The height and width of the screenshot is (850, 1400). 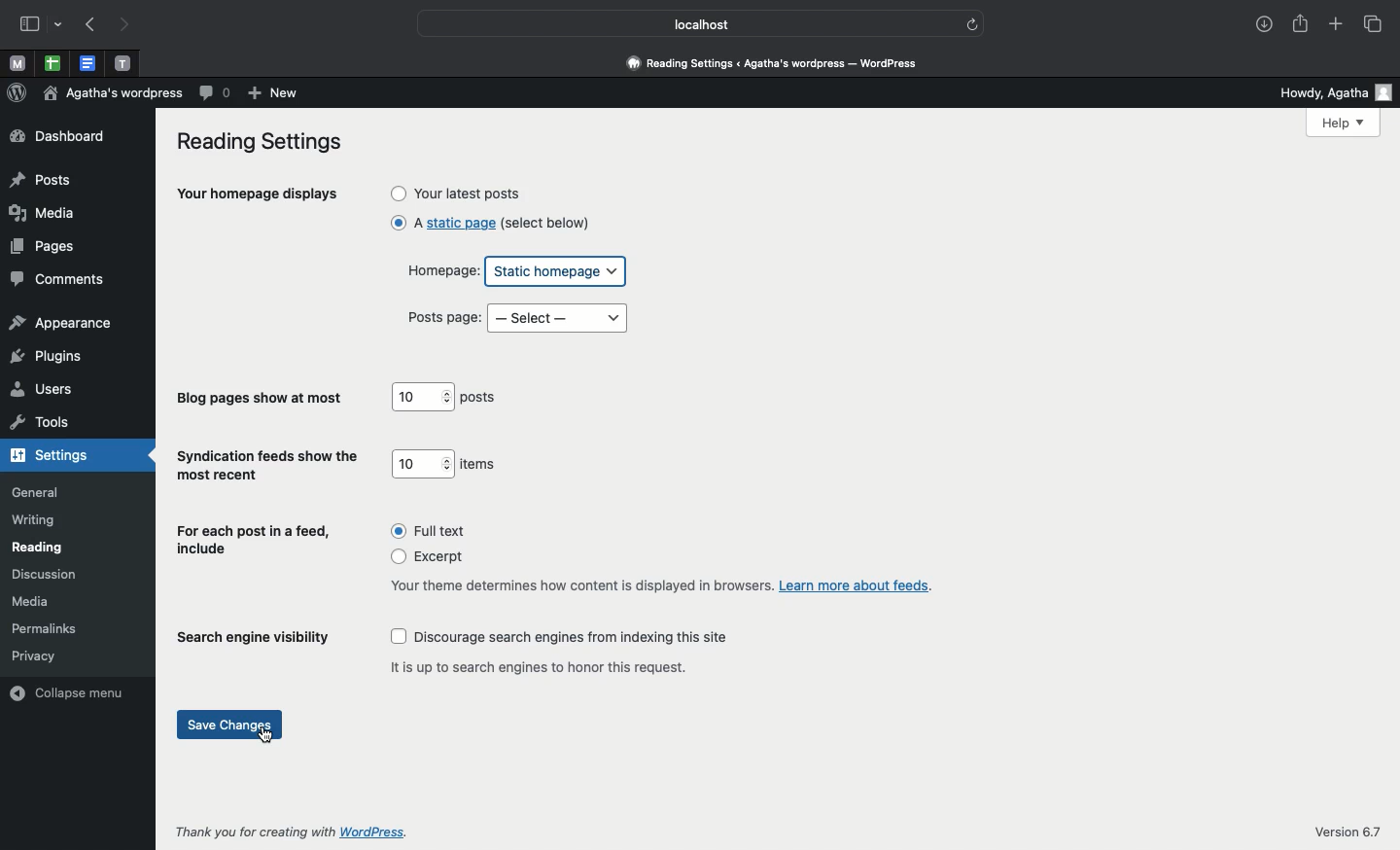 I want to click on Wordpress, so click(x=17, y=91).